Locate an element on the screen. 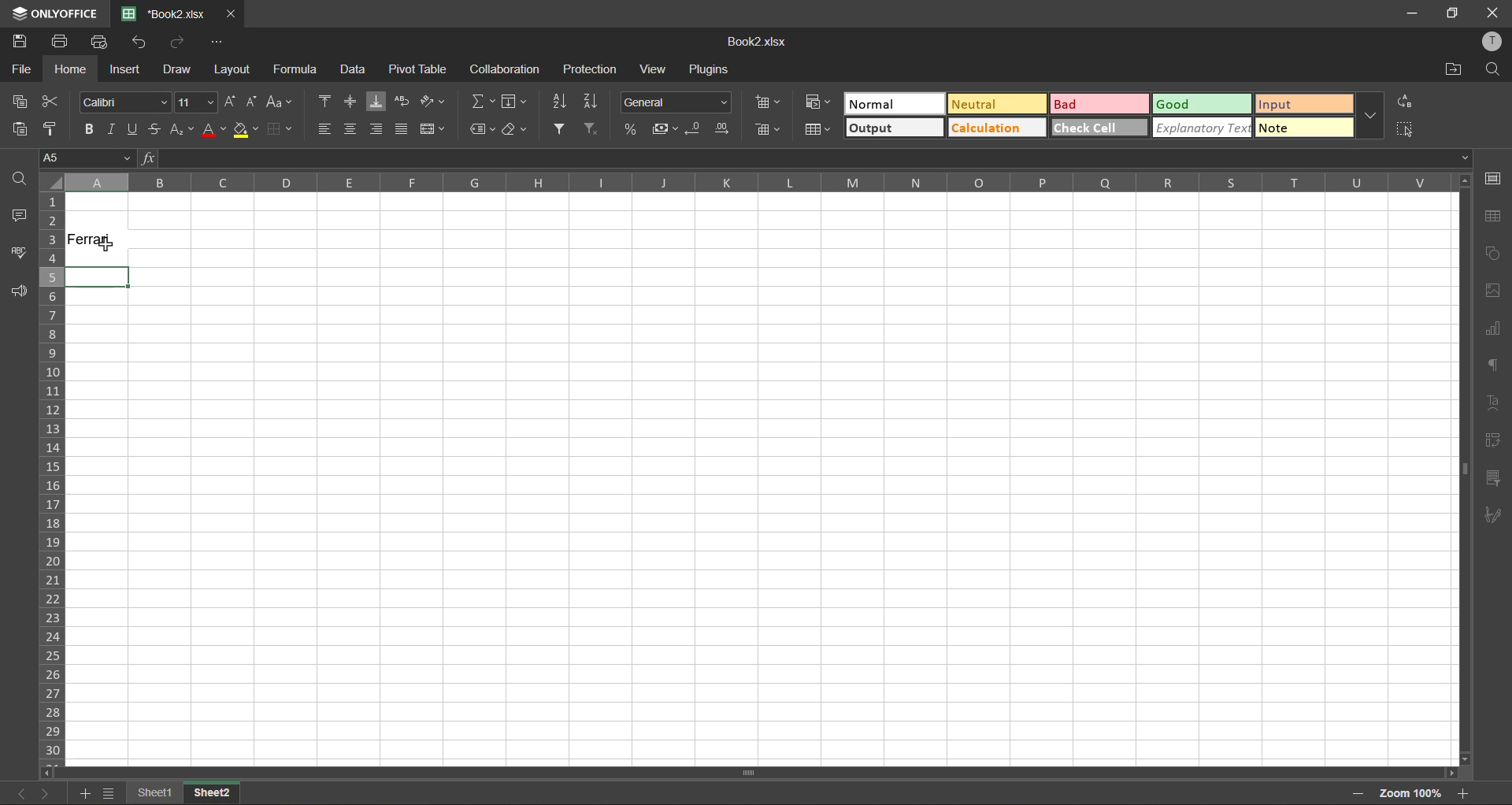 Image resolution: width=1512 pixels, height=805 pixels. align center is located at coordinates (351, 129).